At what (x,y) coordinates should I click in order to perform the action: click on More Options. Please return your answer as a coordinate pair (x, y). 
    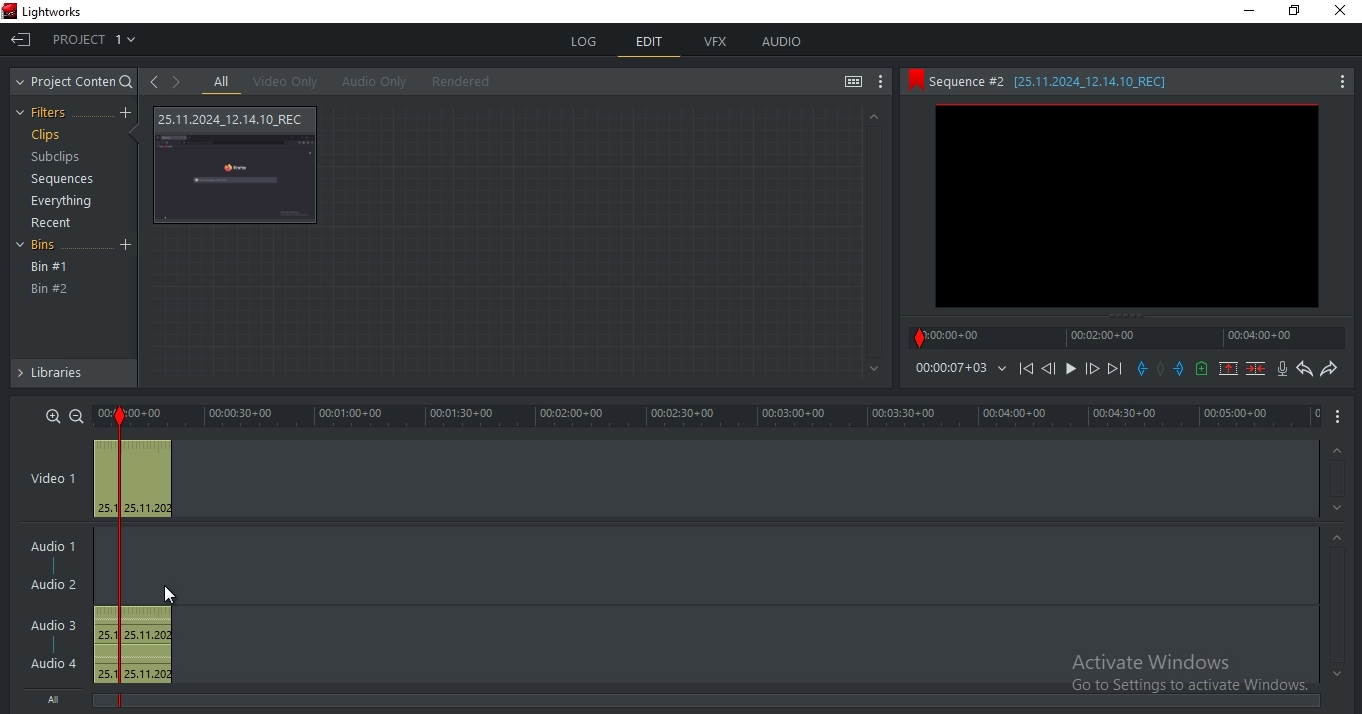
    Looking at the image, I should click on (1342, 417).